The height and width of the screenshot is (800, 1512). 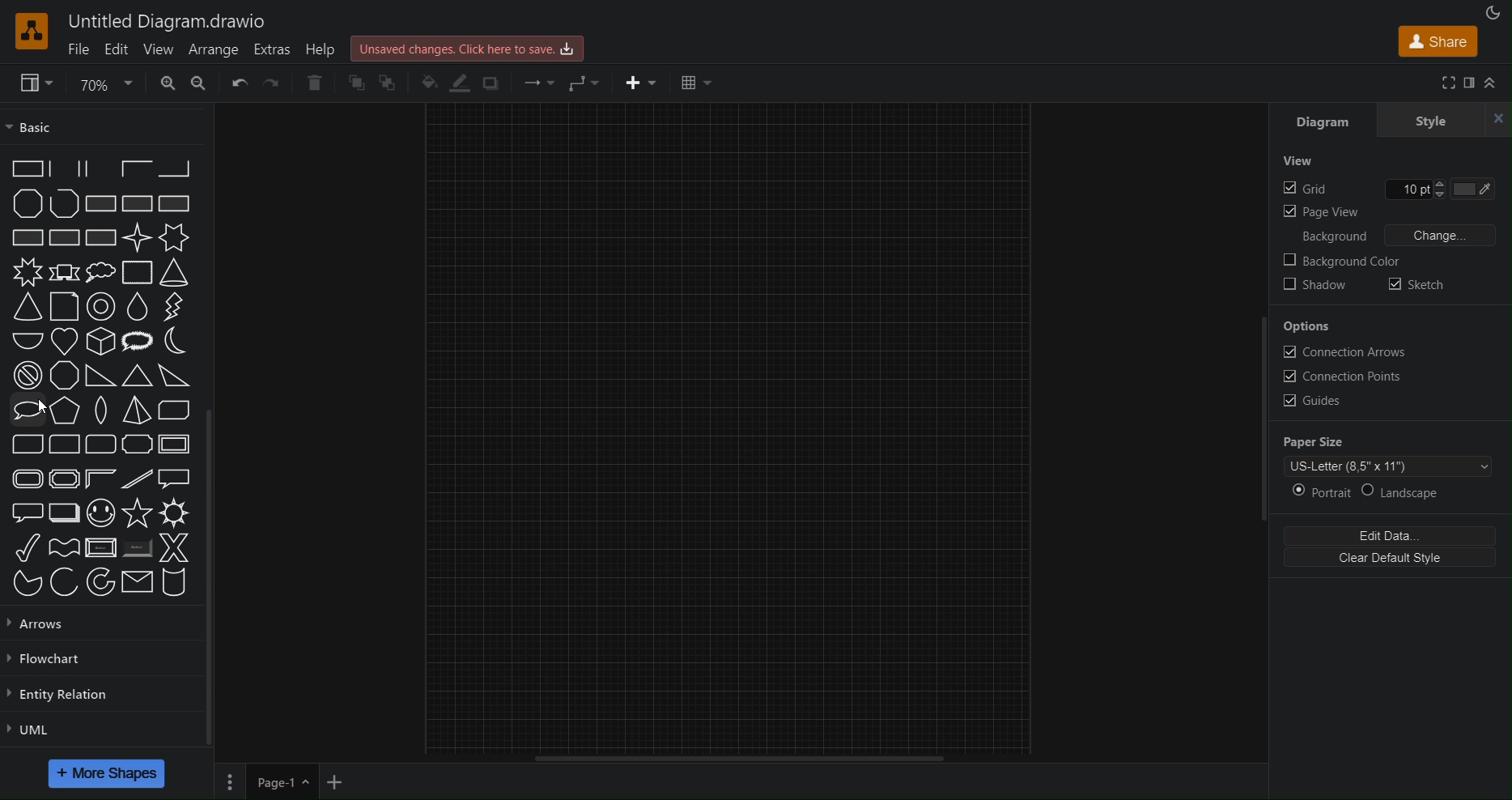 What do you see at coordinates (1435, 43) in the screenshot?
I see `Share` at bounding box center [1435, 43].